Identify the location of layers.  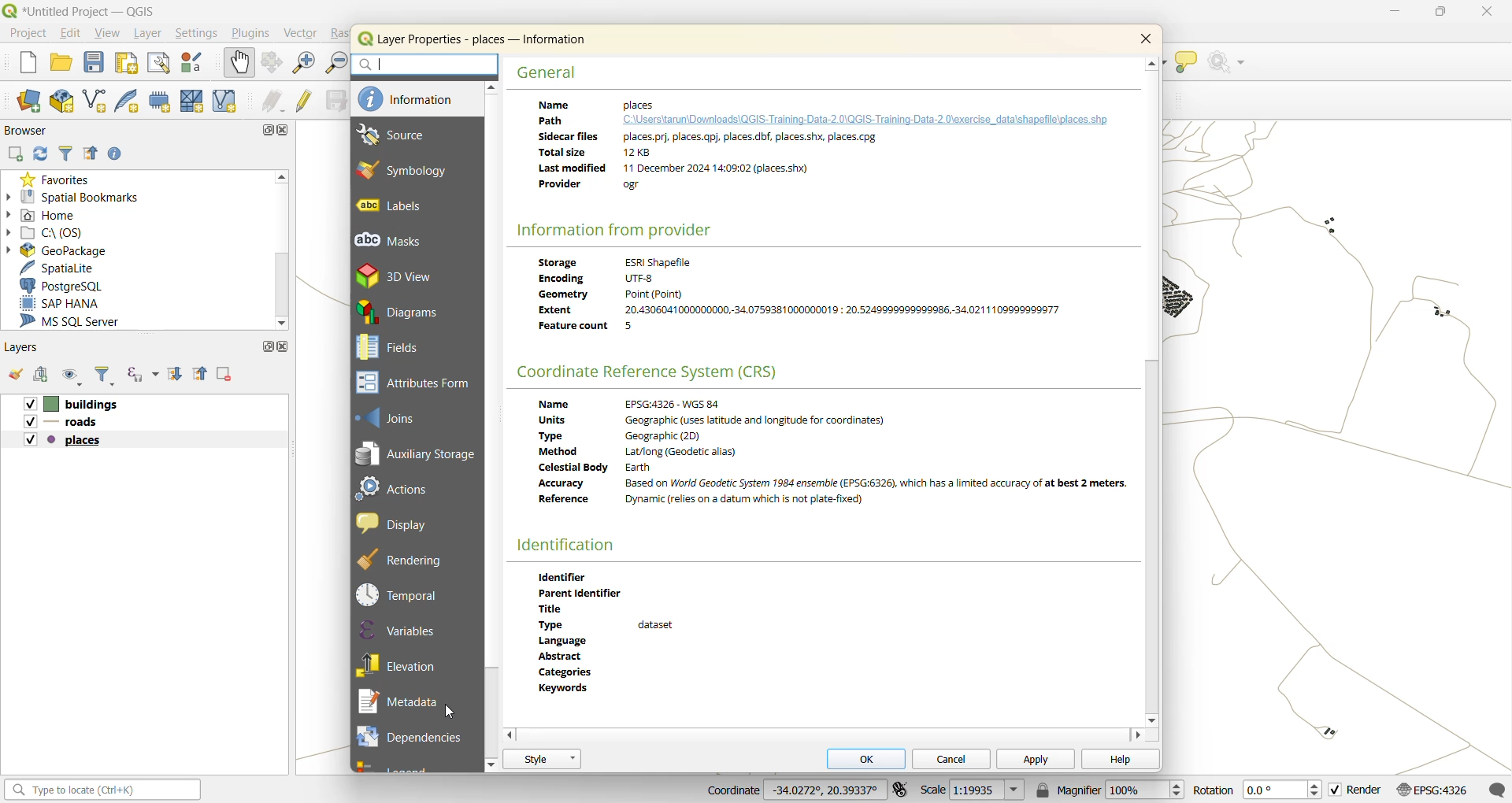
(27, 347).